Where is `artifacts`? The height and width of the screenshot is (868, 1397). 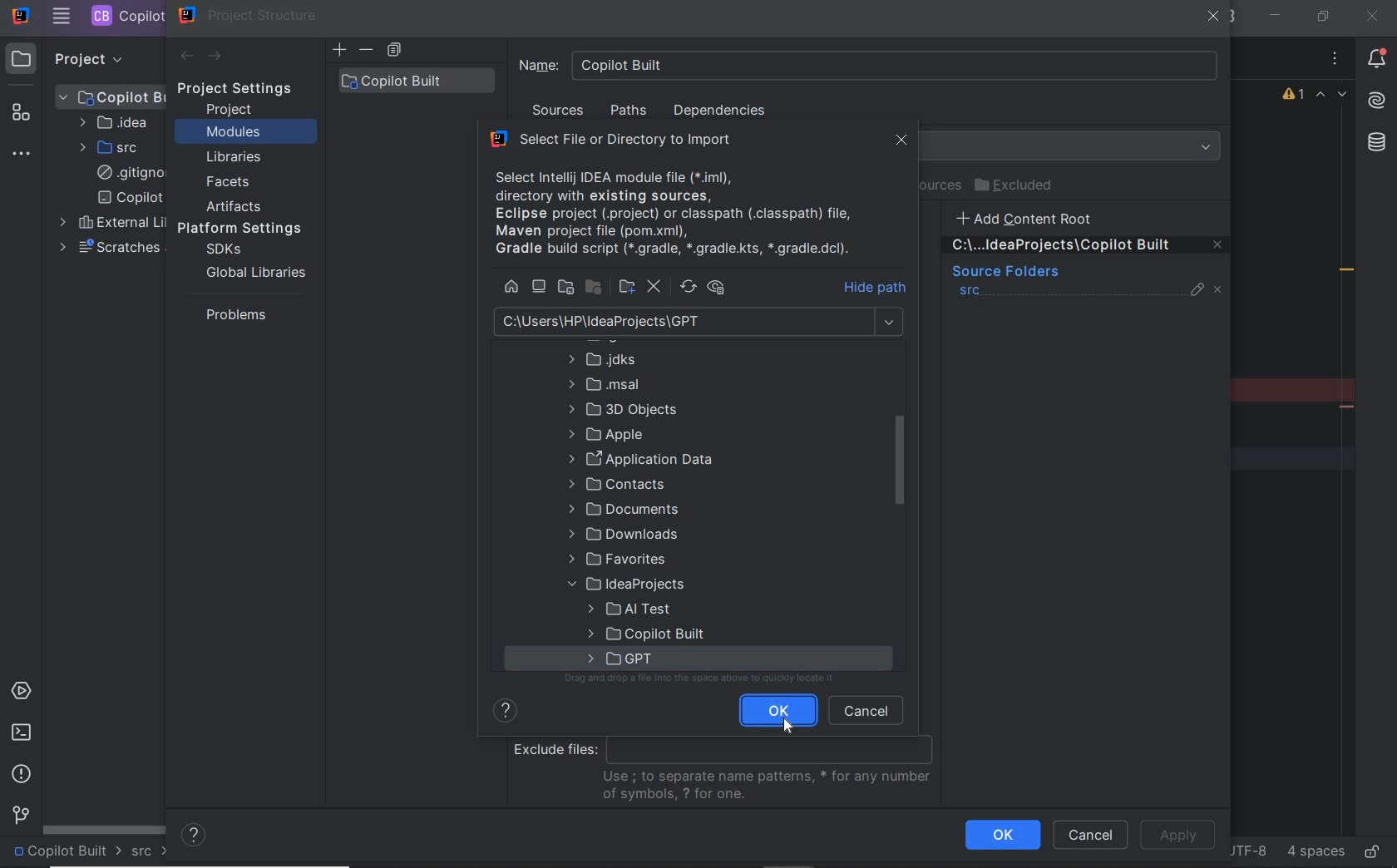 artifacts is located at coordinates (238, 206).